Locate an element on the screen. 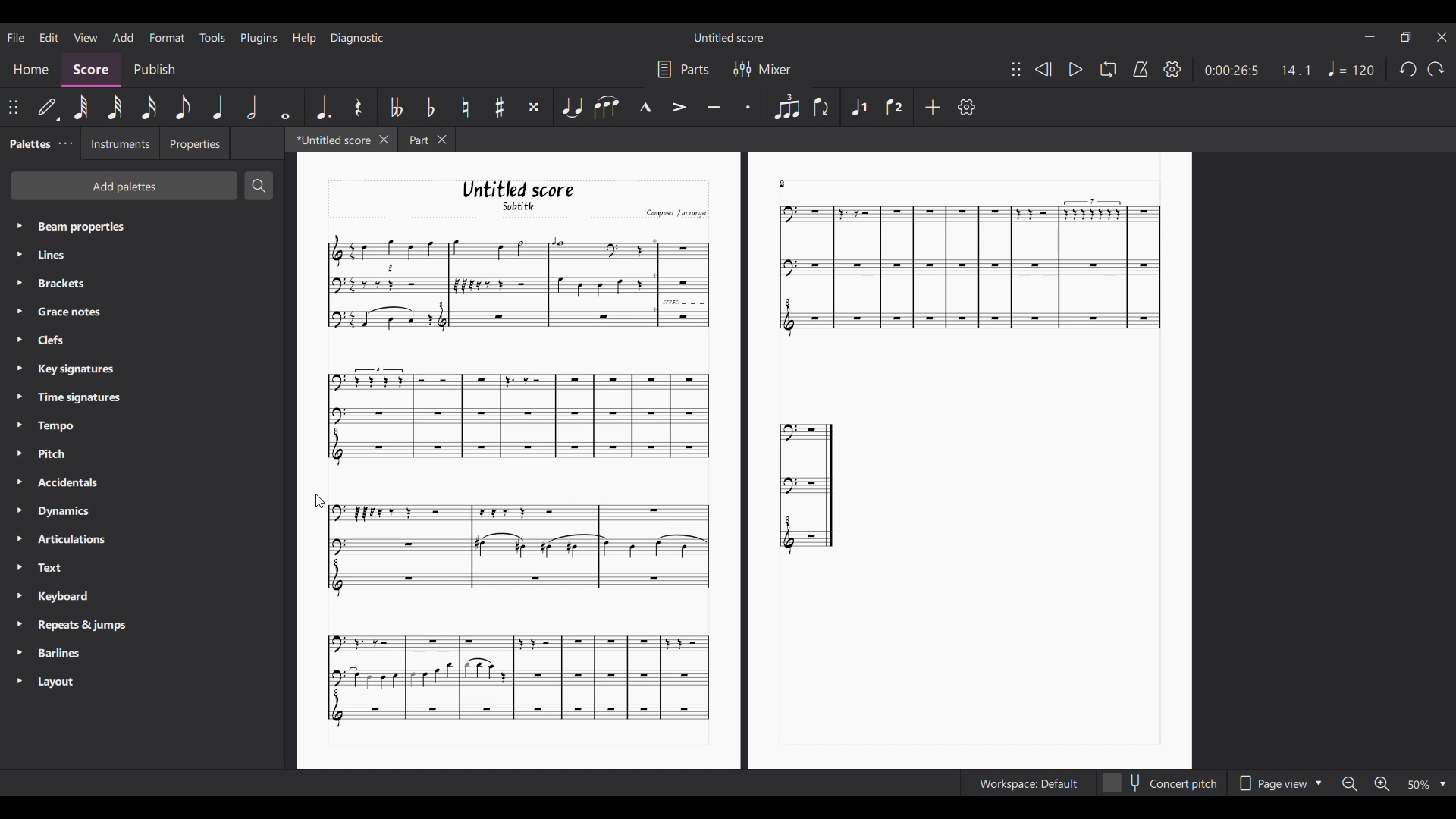 The image size is (1456, 819). > Dynamics is located at coordinates (61, 513).